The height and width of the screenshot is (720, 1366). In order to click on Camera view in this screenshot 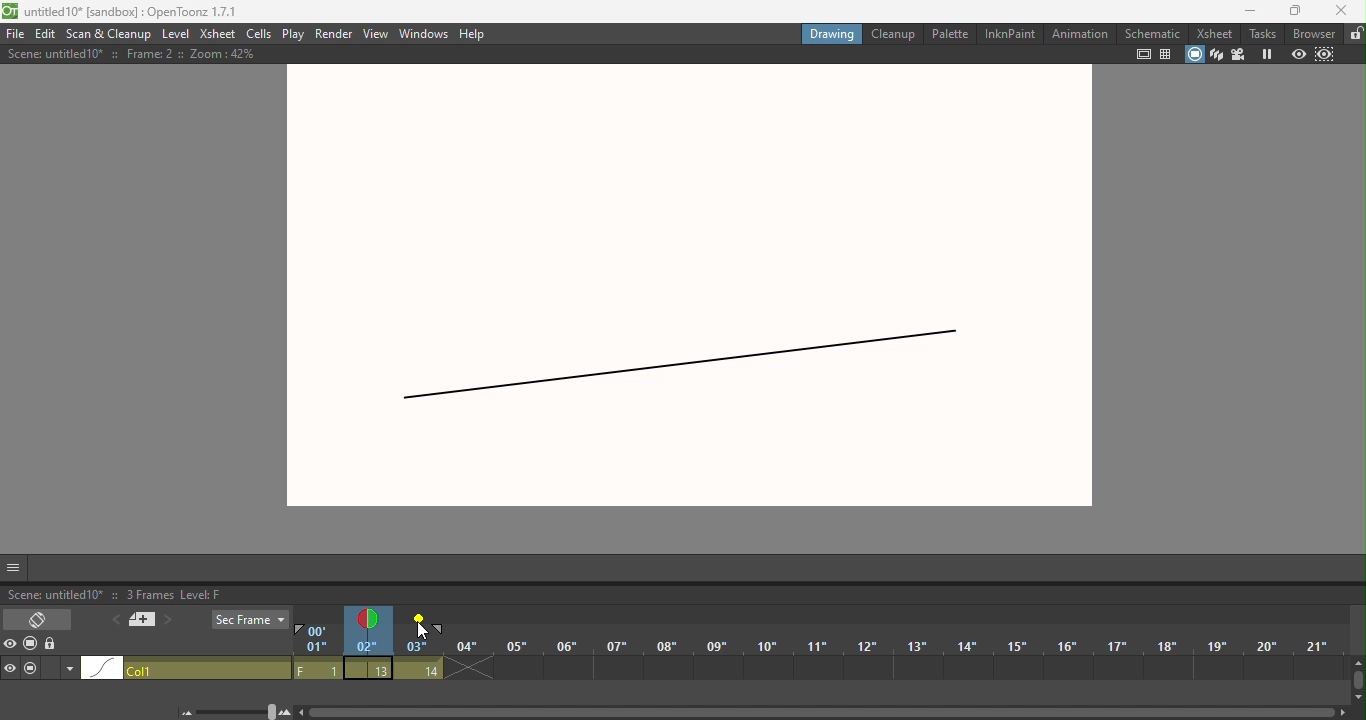, I will do `click(1239, 55)`.